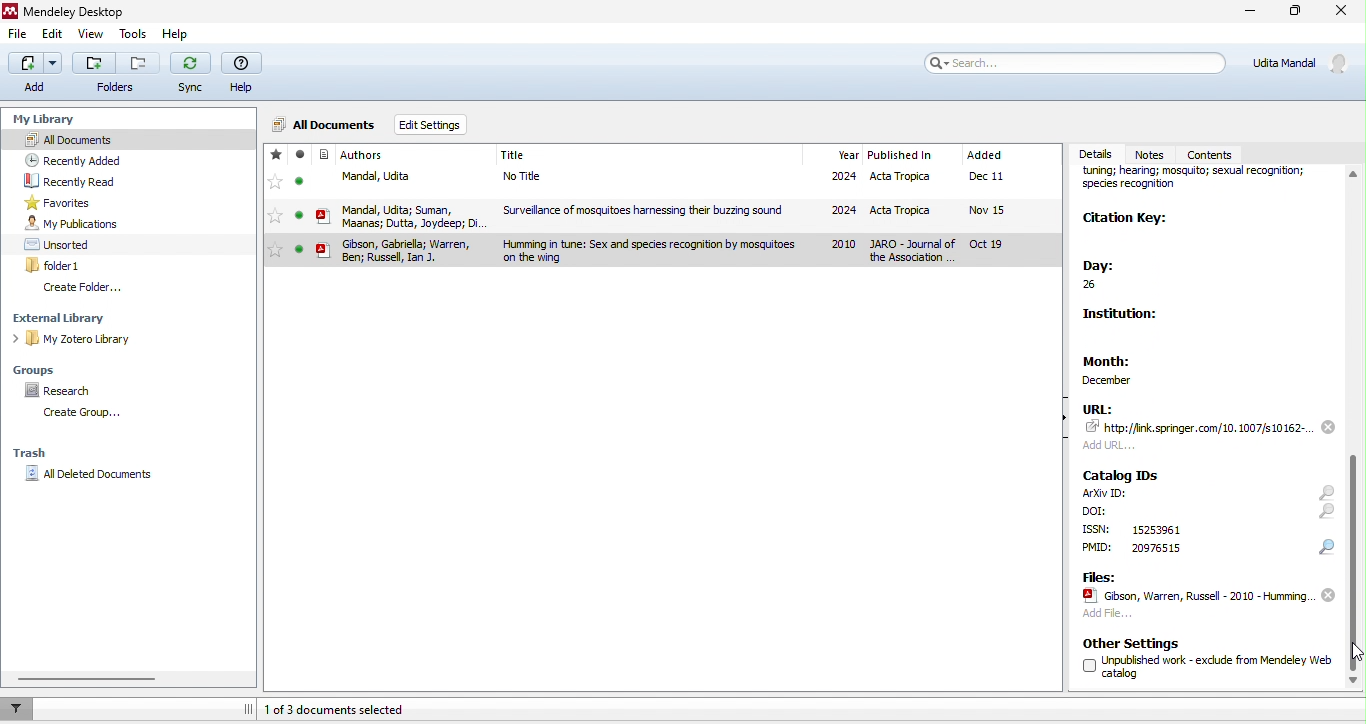 The height and width of the screenshot is (724, 1366). Describe the element at coordinates (1107, 616) in the screenshot. I see `add file` at that location.